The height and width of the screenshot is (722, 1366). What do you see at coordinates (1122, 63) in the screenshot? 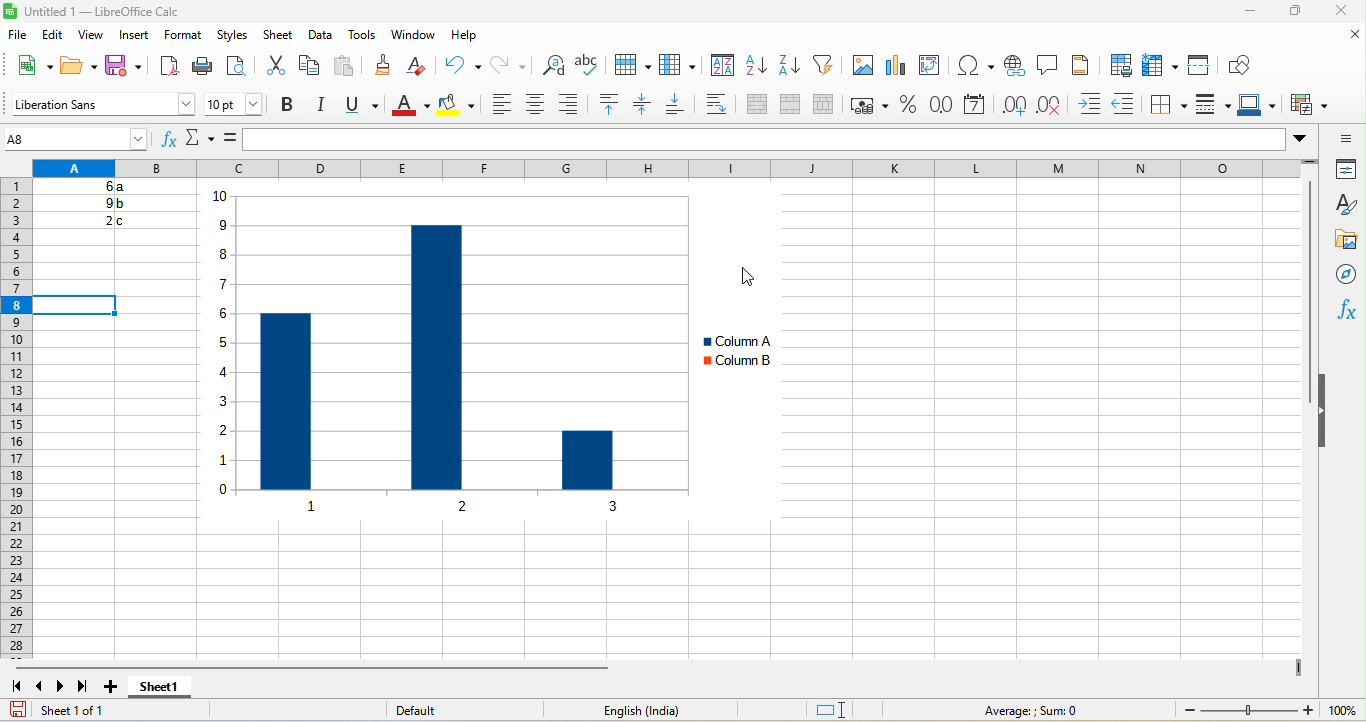
I see `define print area` at bounding box center [1122, 63].